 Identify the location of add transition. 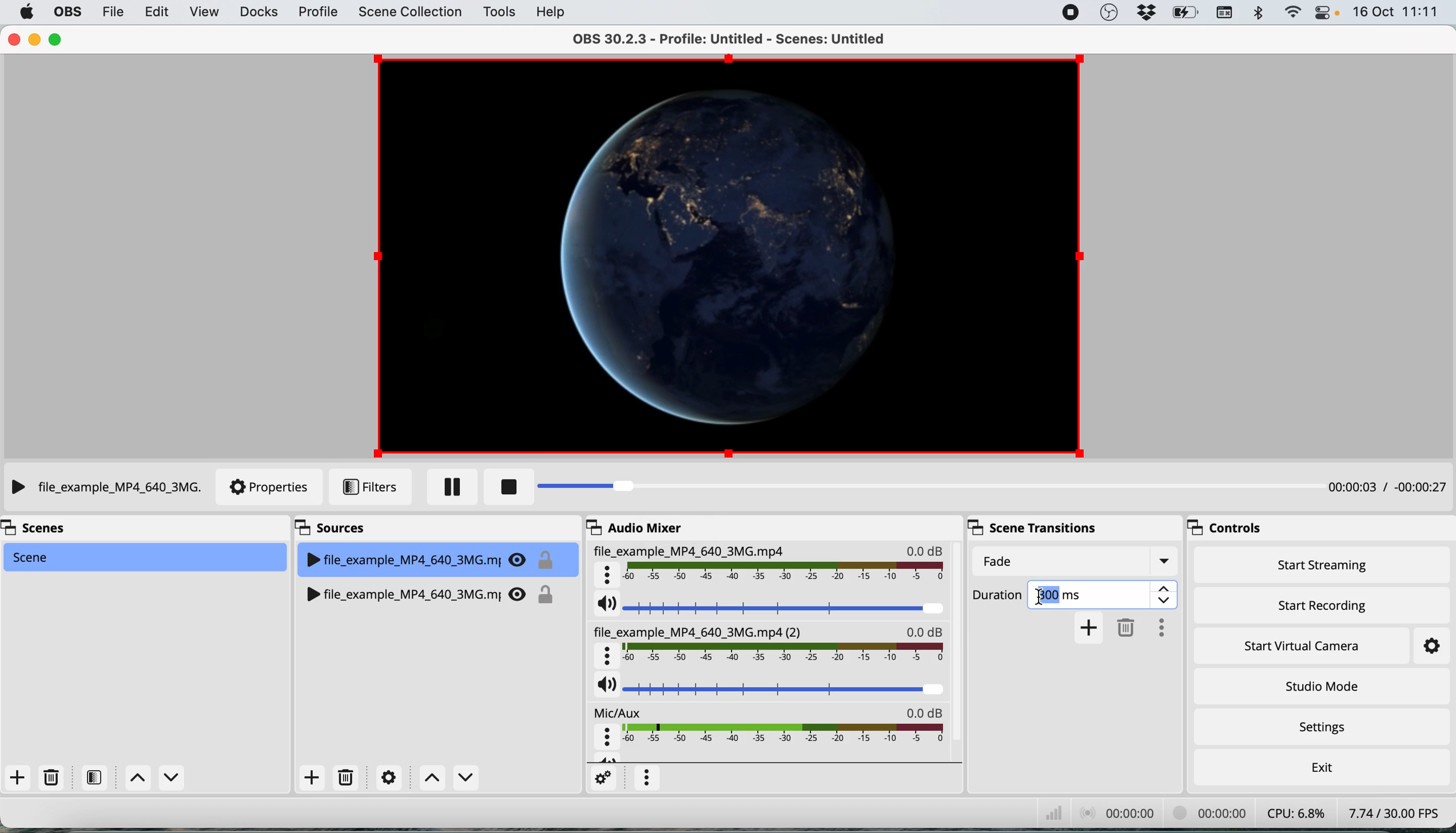
(1089, 628).